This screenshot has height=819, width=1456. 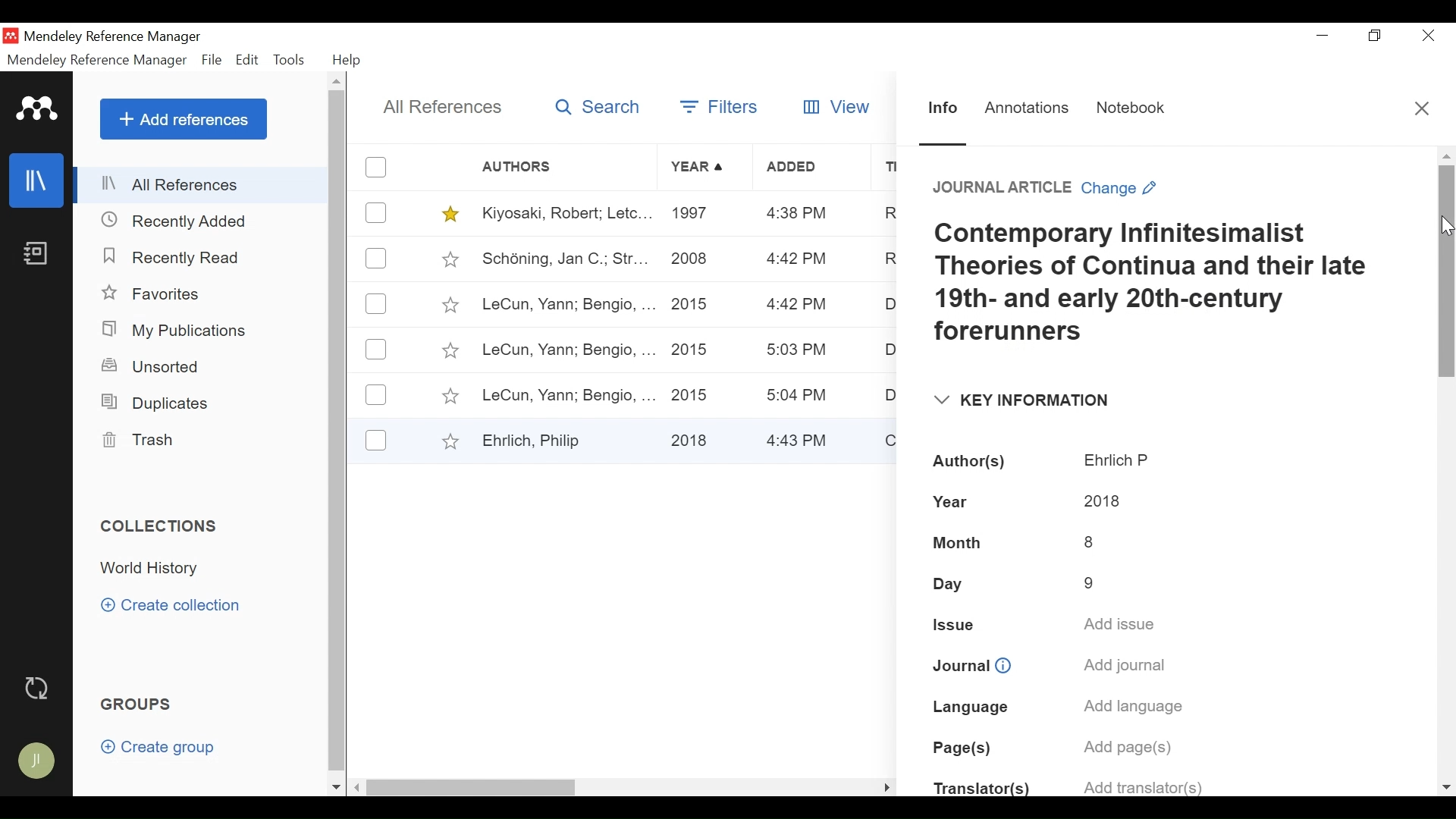 What do you see at coordinates (358, 787) in the screenshot?
I see `scroll left` at bounding box center [358, 787].